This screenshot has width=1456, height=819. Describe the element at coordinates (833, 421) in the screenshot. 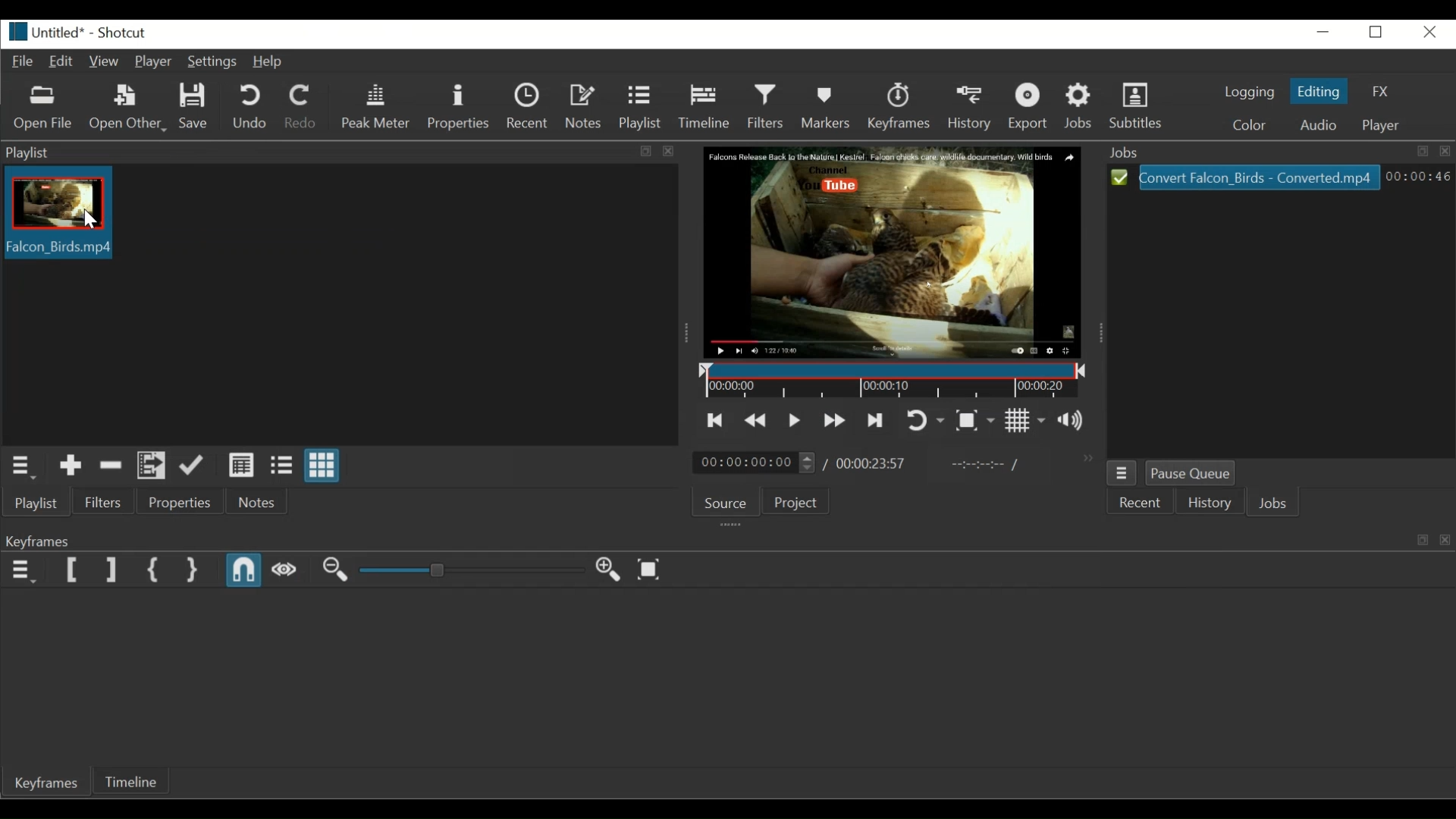

I see `Play quickly forward` at that location.